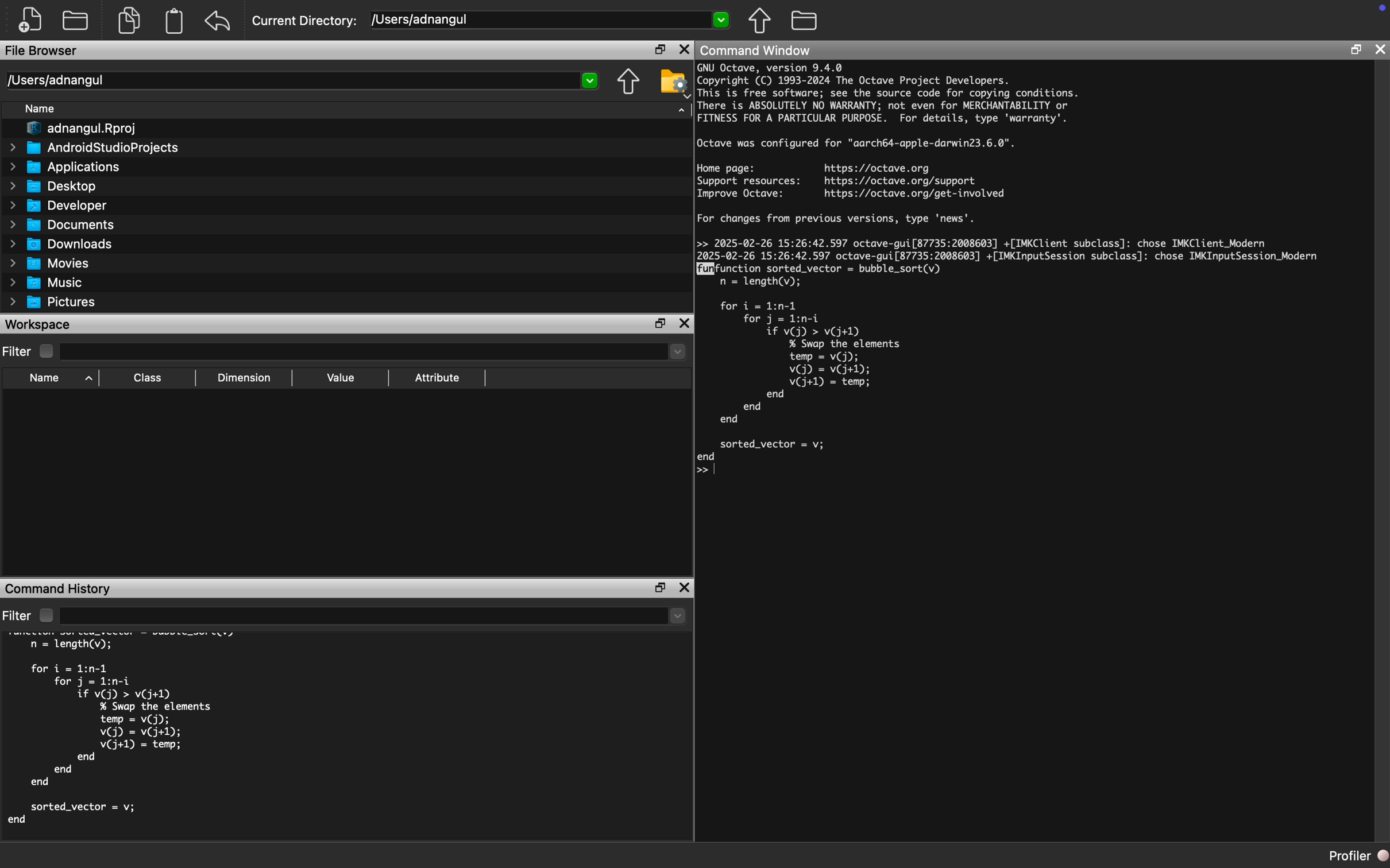 The width and height of the screenshot is (1390, 868). What do you see at coordinates (684, 49) in the screenshot?
I see `Close` at bounding box center [684, 49].